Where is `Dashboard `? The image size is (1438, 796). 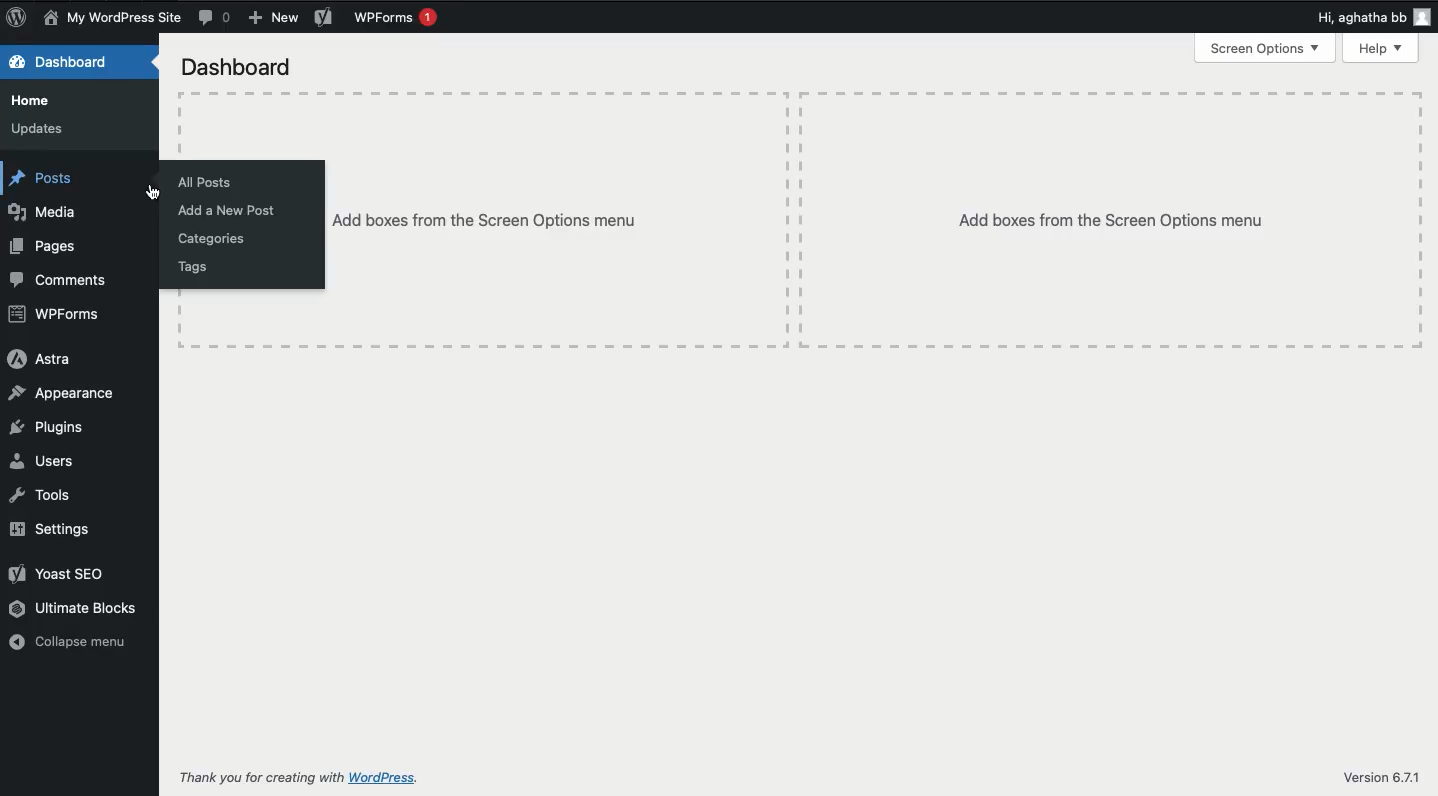
Dashboard  is located at coordinates (239, 67).